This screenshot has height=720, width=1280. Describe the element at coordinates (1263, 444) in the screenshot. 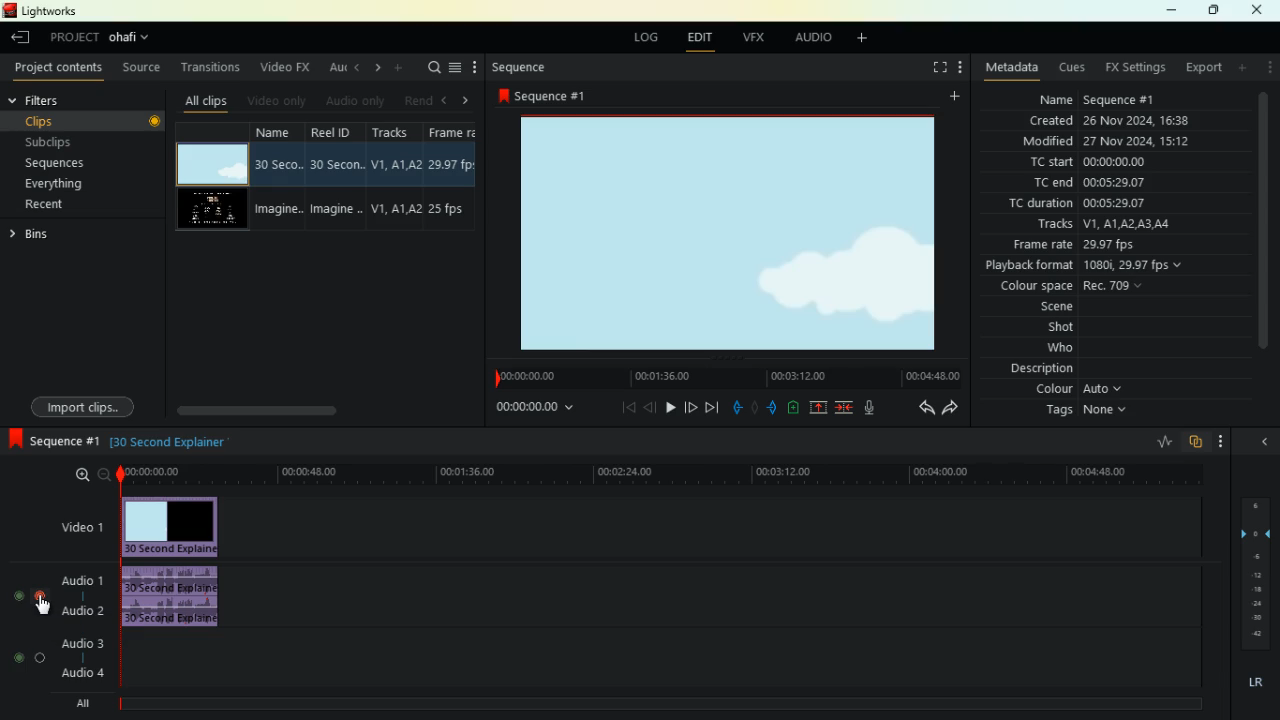

I see `arrow head` at that location.